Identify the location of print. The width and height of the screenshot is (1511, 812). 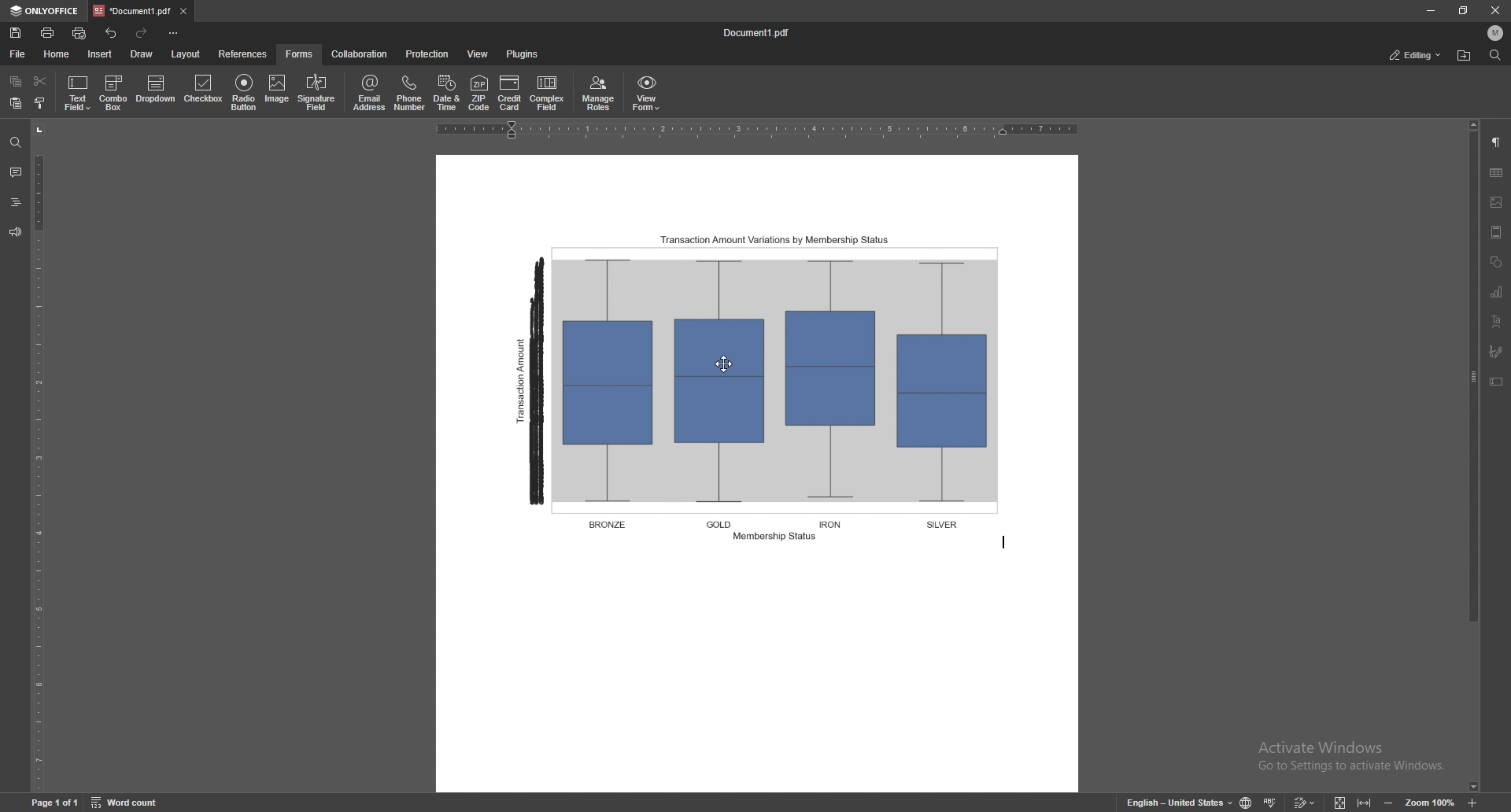
(47, 32).